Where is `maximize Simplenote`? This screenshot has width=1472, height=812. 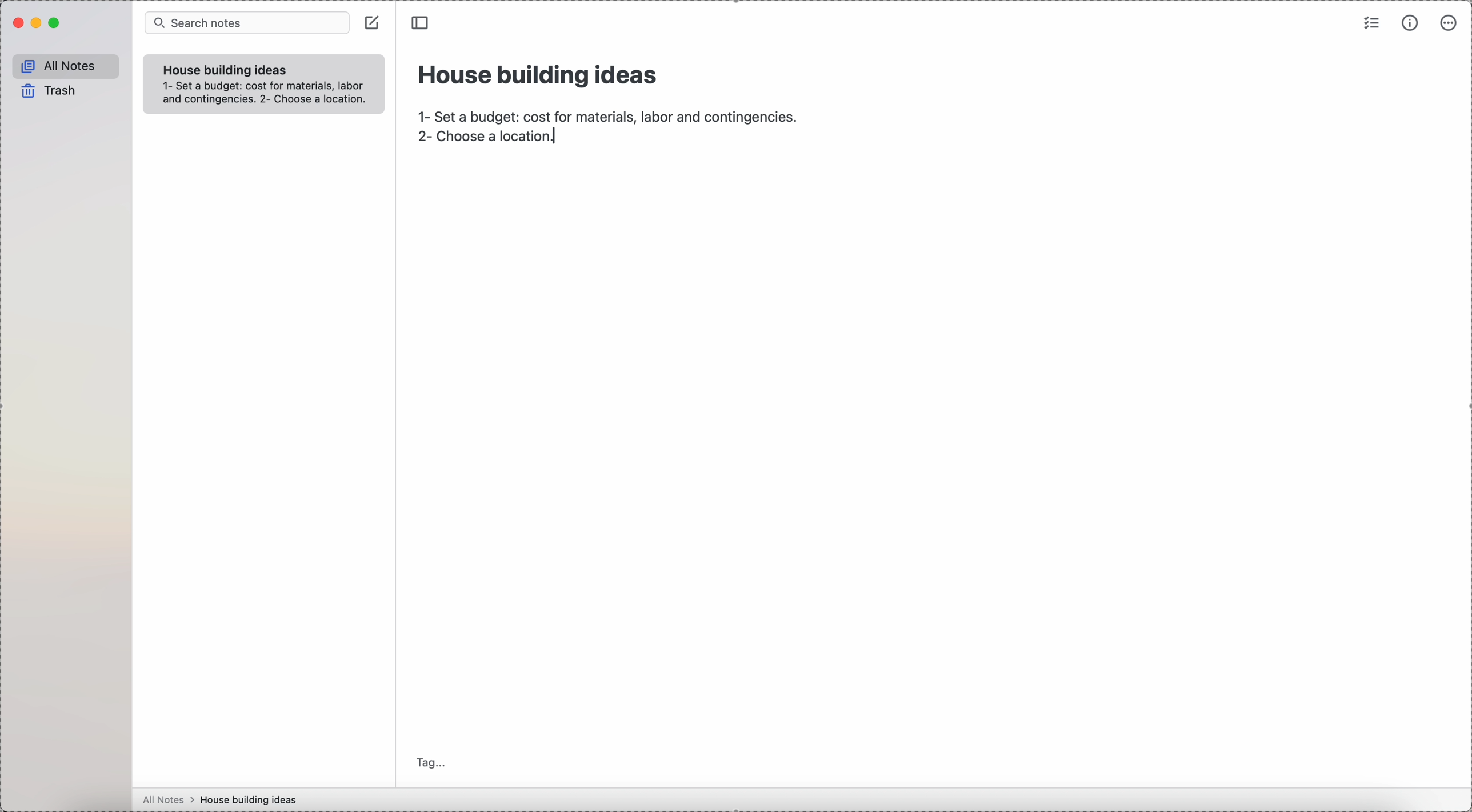
maximize Simplenote is located at coordinates (58, 23).